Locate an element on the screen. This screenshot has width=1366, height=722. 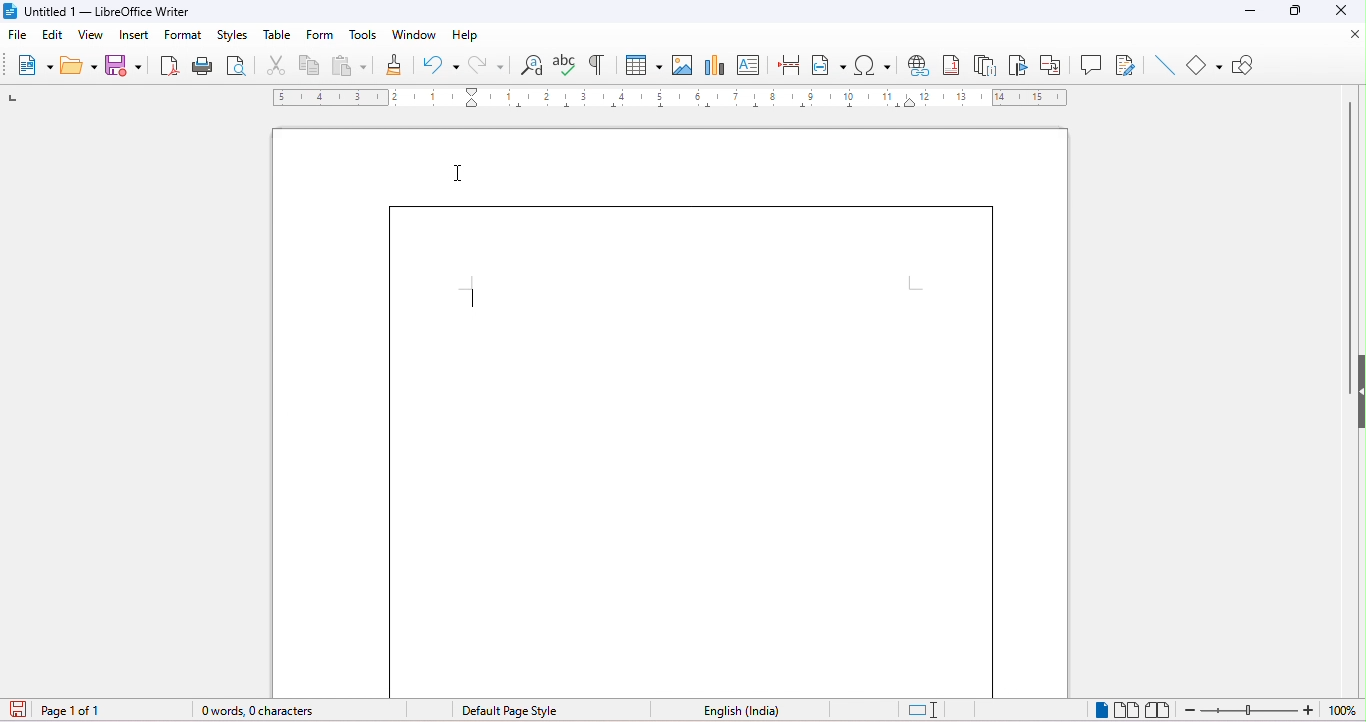
zoom out is located at coordinates (1252, 707).